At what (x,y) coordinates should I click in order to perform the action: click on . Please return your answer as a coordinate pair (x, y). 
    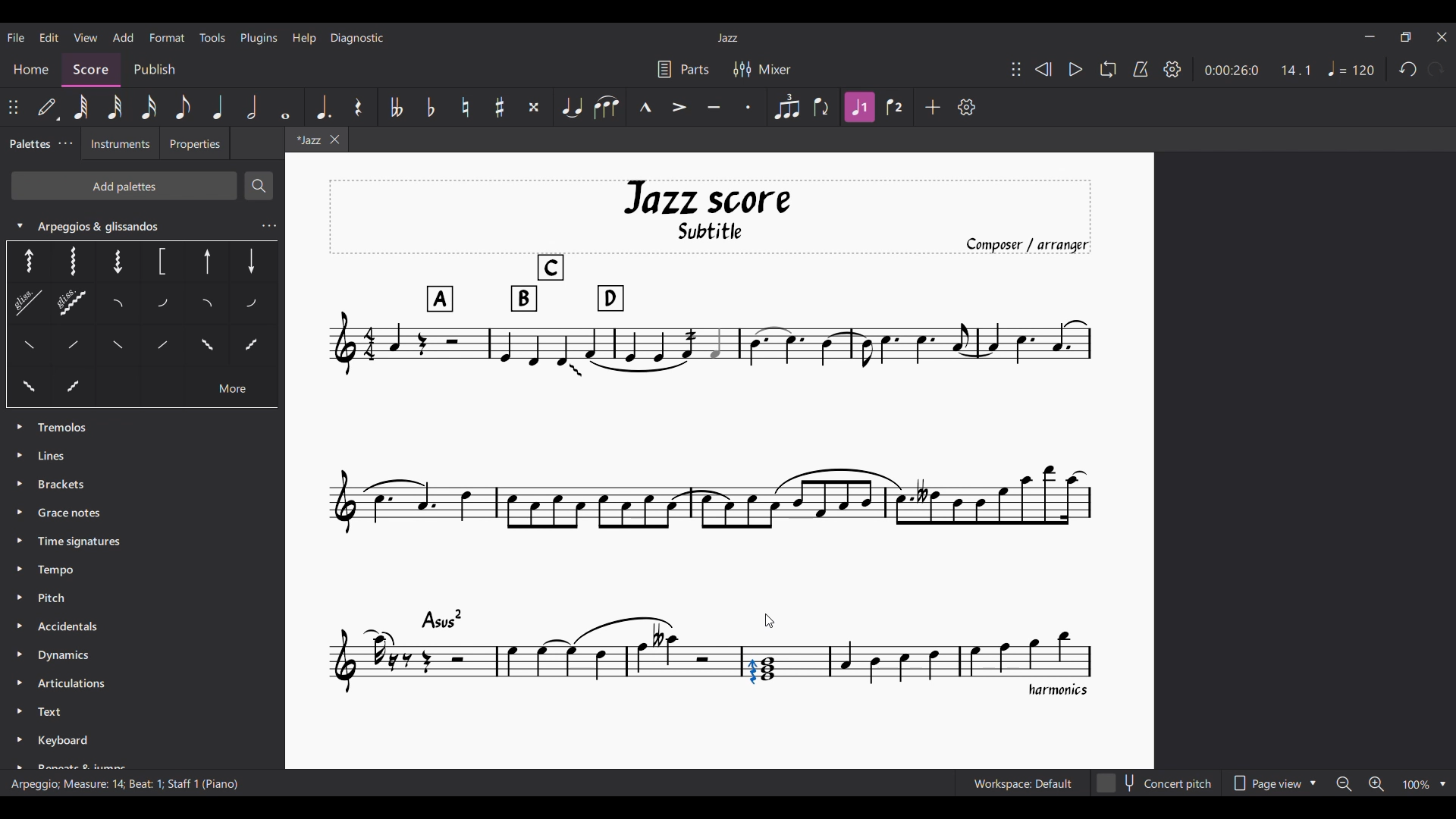
    Looking at the image, I should click on (72, 301).